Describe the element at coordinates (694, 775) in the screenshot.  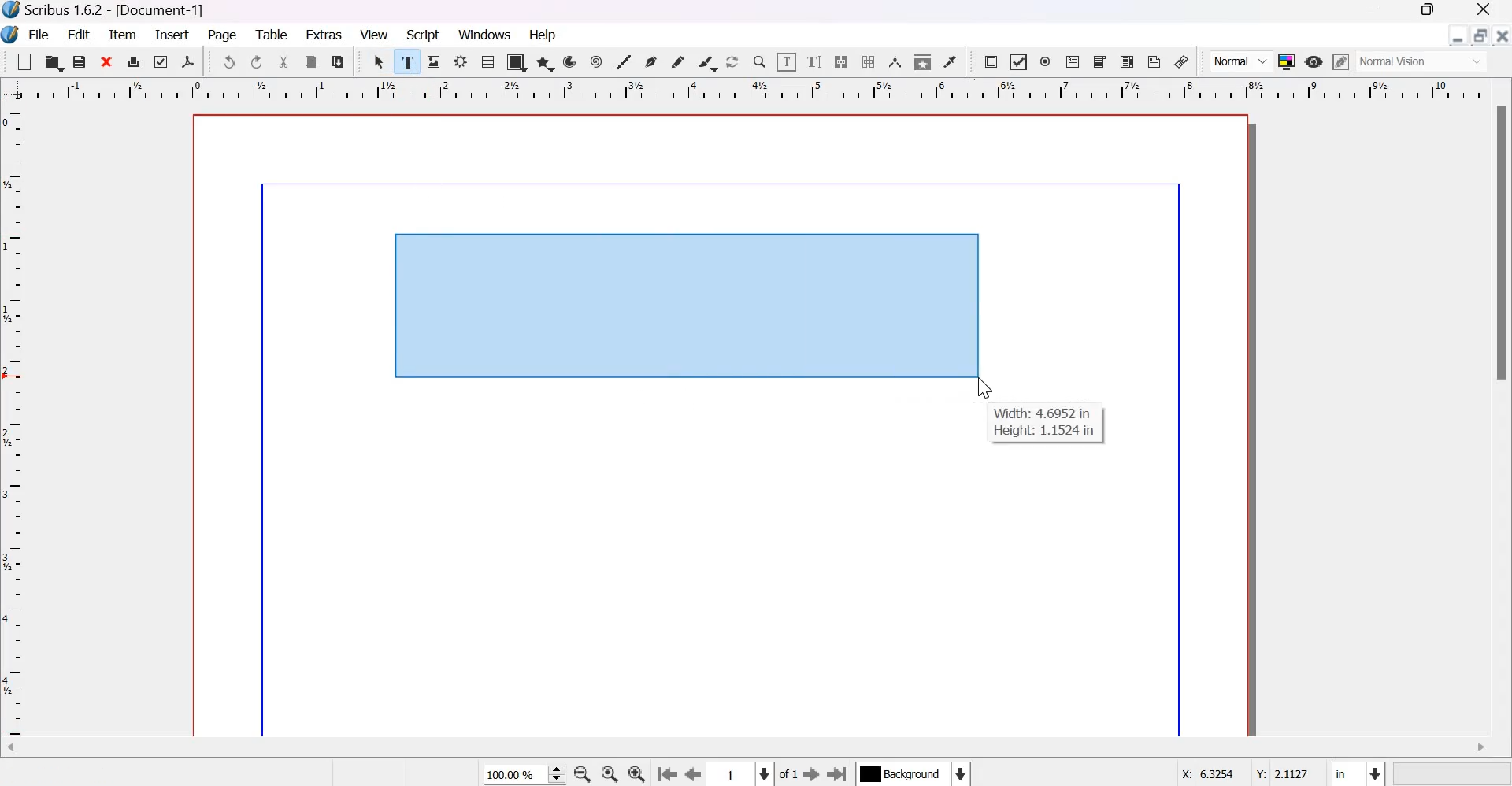
I see `go to the previous page` at that location.